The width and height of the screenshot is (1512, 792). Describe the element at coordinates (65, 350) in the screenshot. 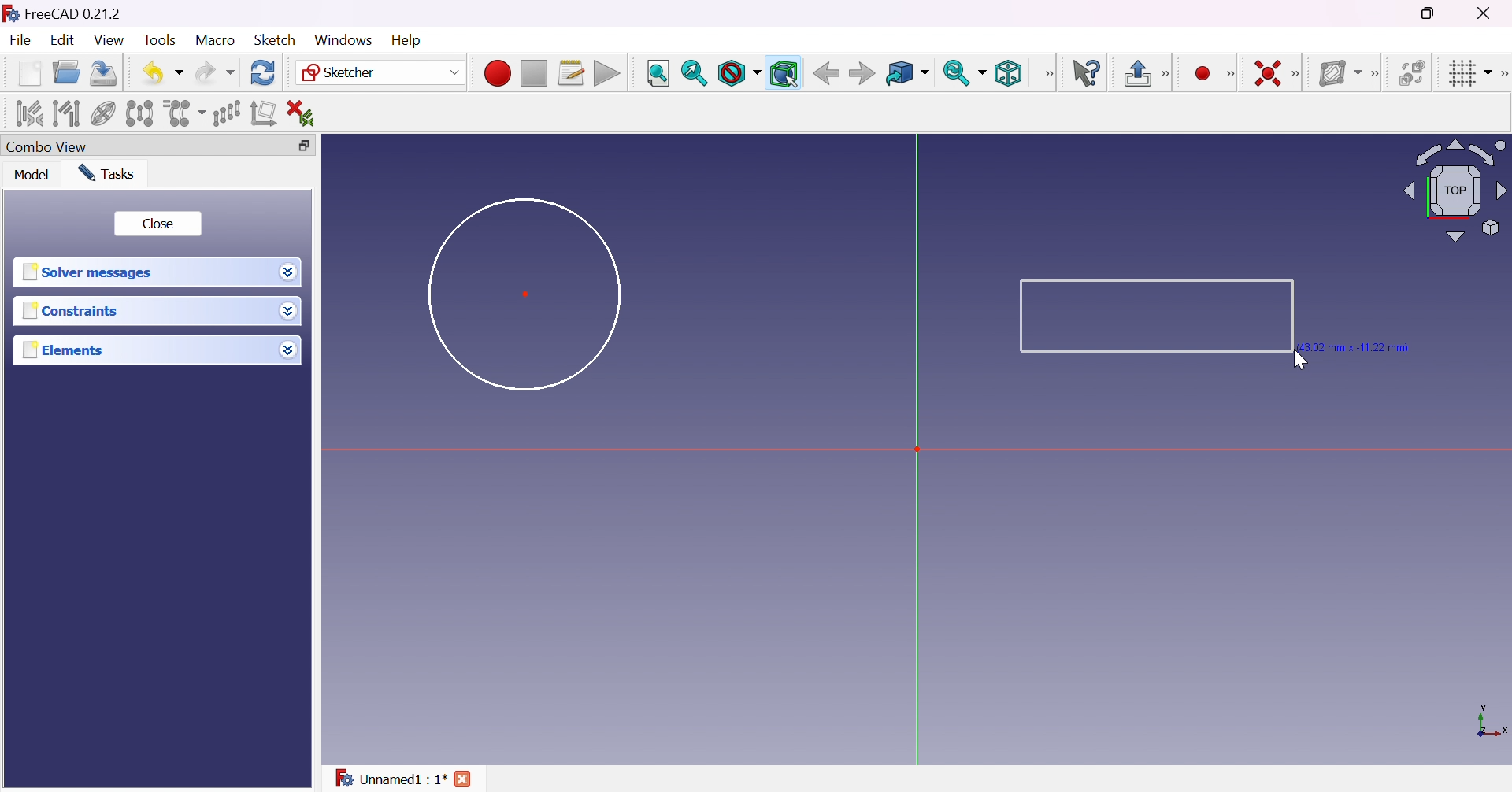

I see `Elements` at that location.